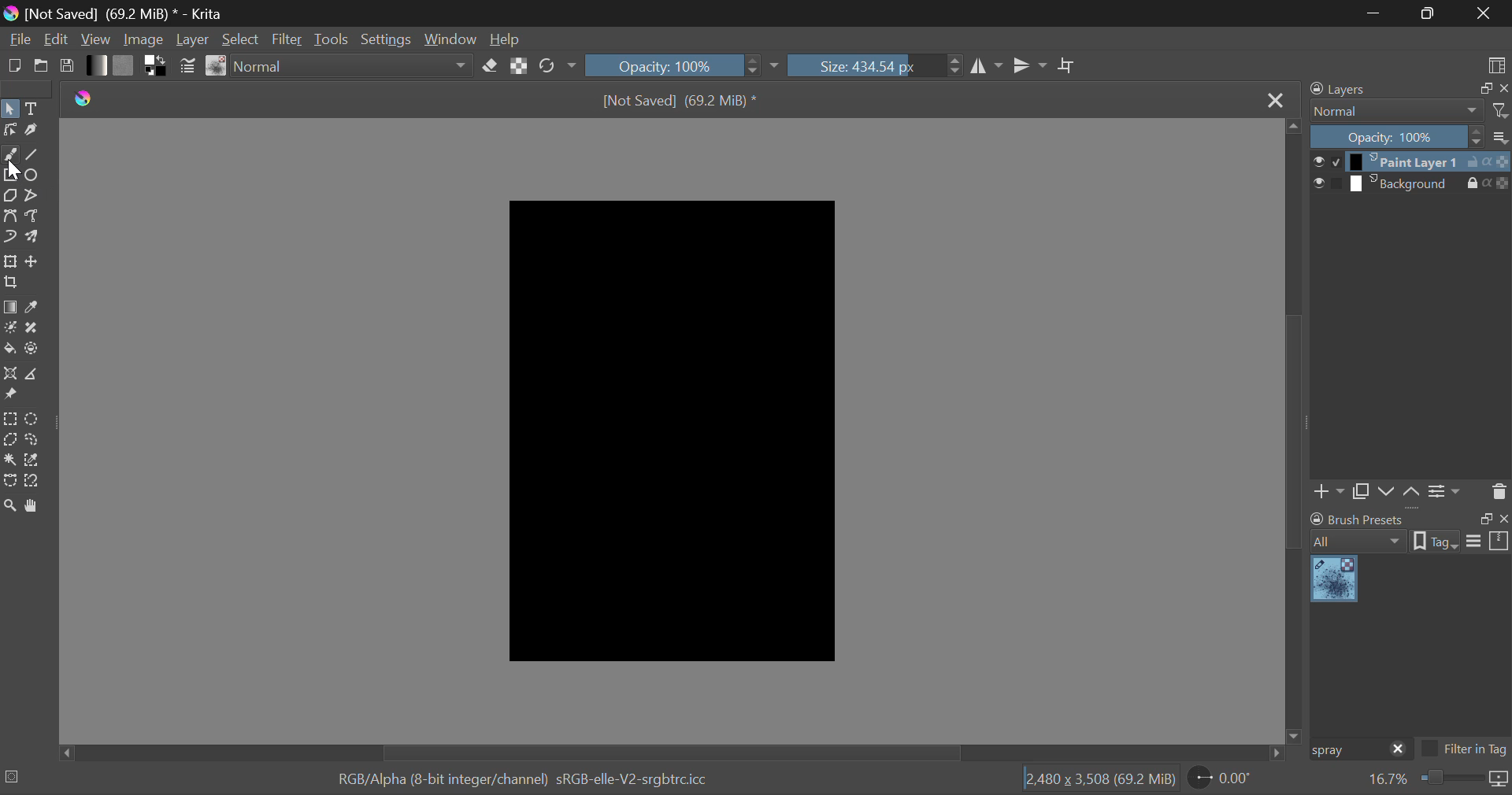  I want to click on Save, so click(65, 65).